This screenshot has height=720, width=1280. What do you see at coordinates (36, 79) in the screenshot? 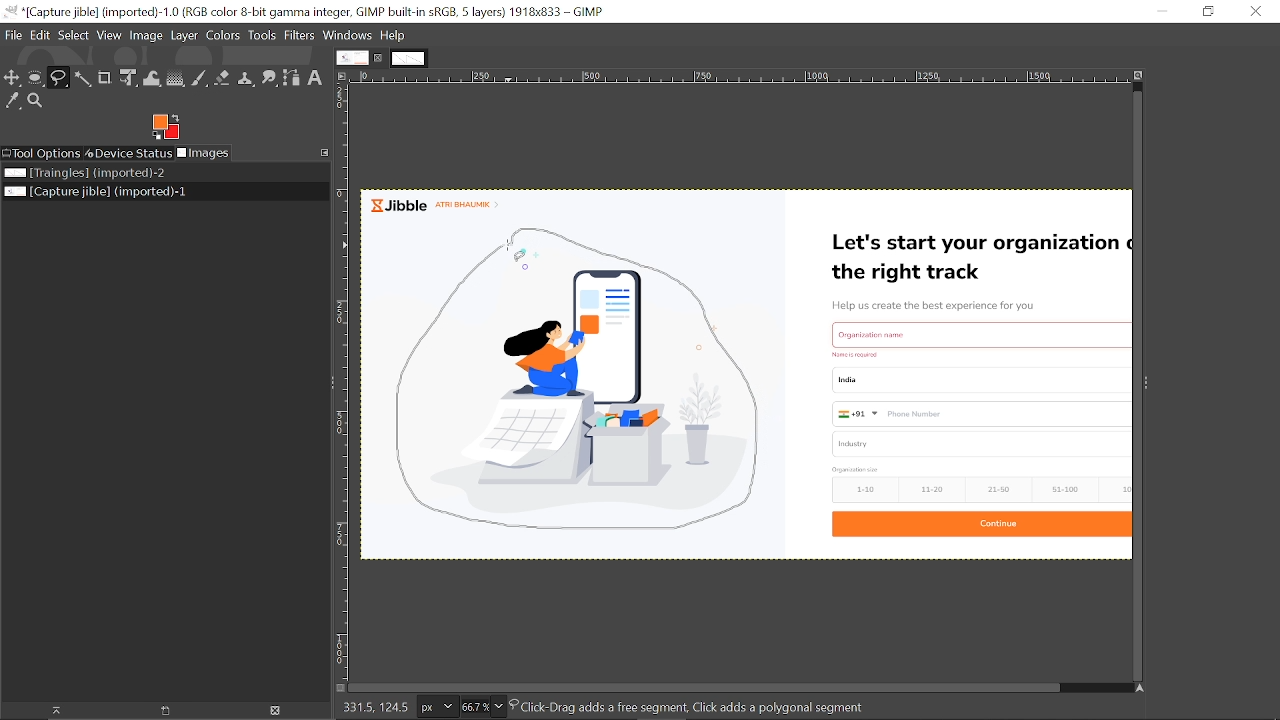
I see `Ellipse select tool` at bounding box center [36, 79].